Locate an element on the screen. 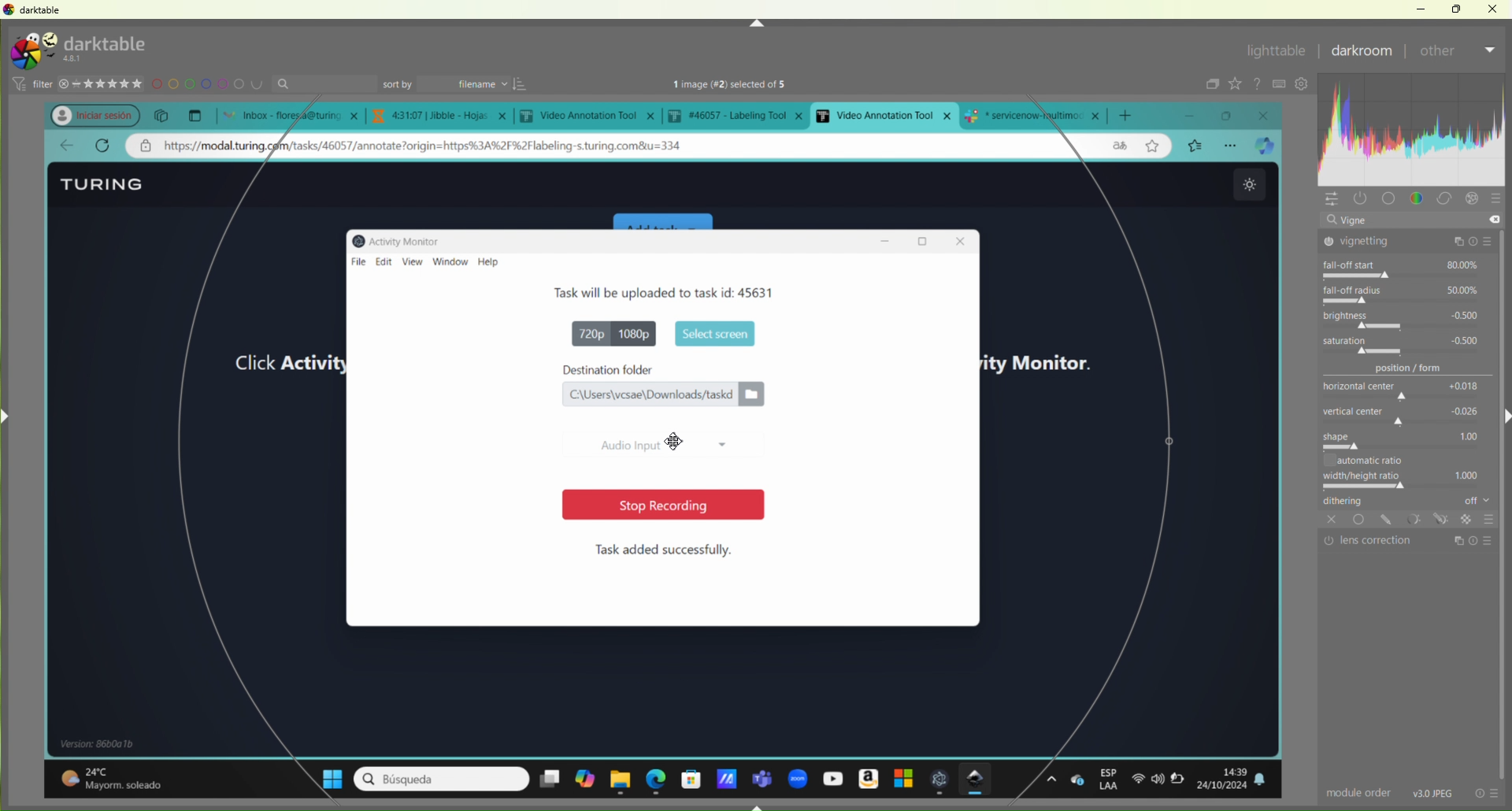 Image resolution: width=1512 pixels, height=811 pixels. Up is located at coordinates (756, 23).